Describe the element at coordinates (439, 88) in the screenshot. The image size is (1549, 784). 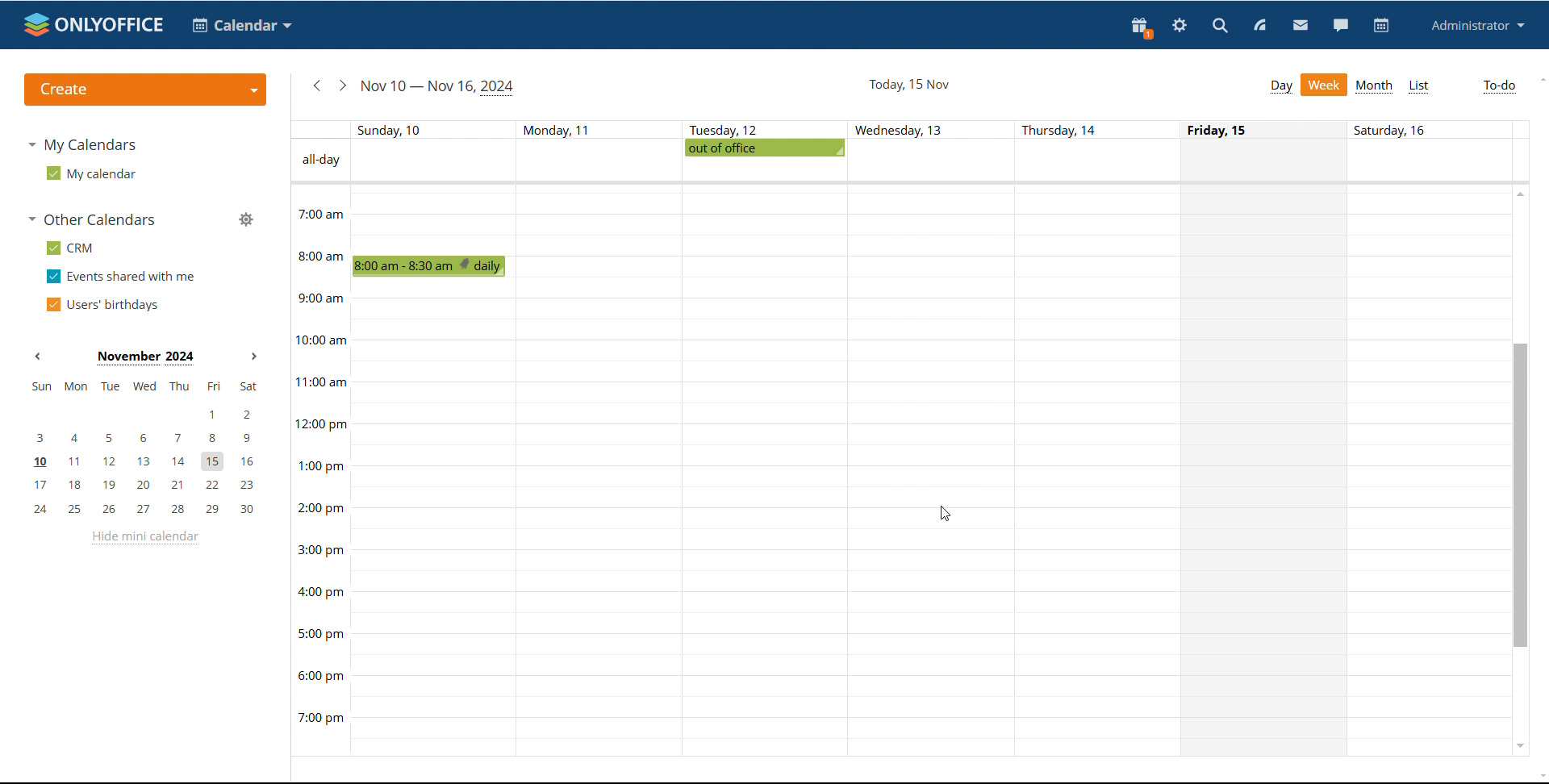
I see `current date` at that location.